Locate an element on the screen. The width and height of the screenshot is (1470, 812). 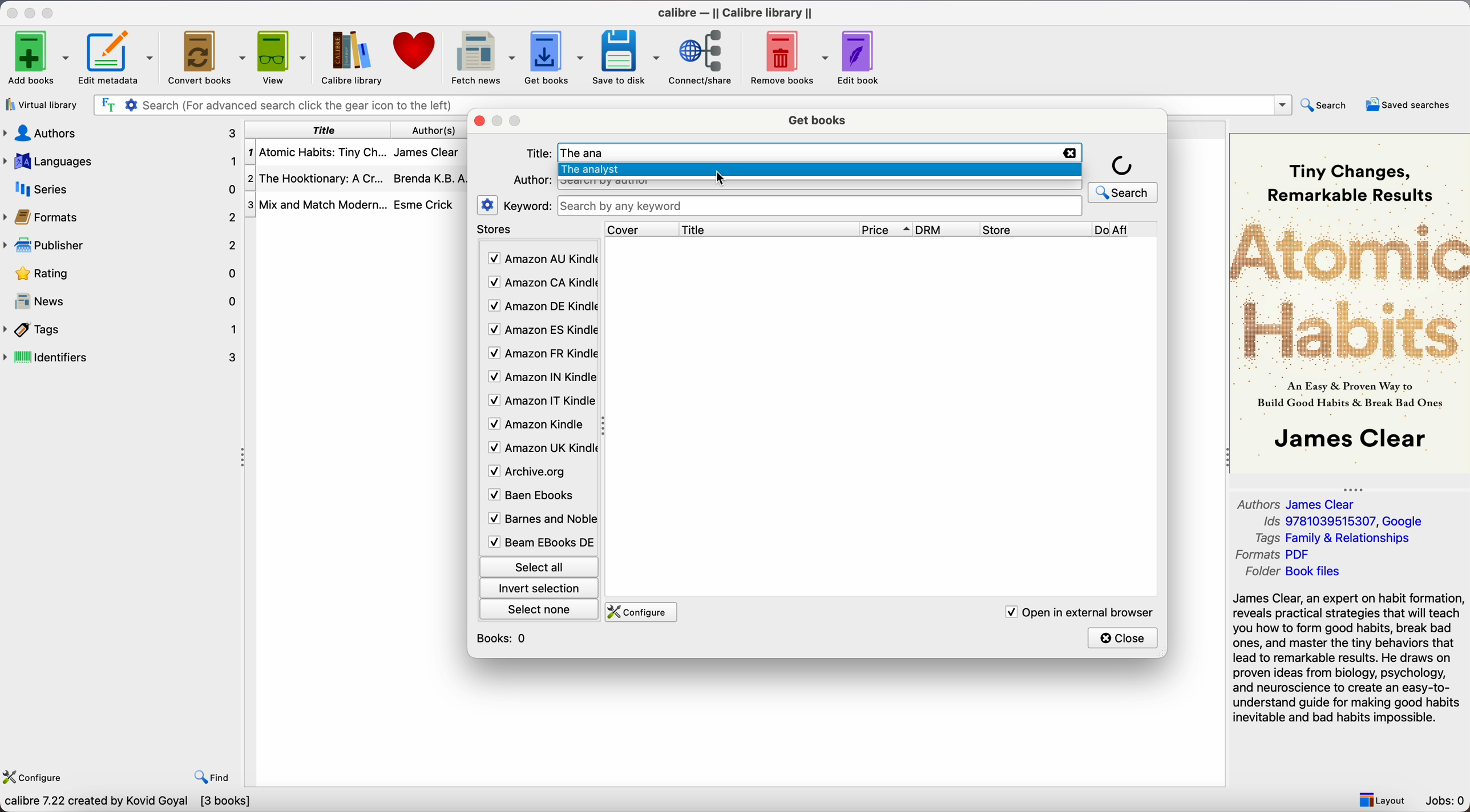
close is located at coordinates (1124, 637).